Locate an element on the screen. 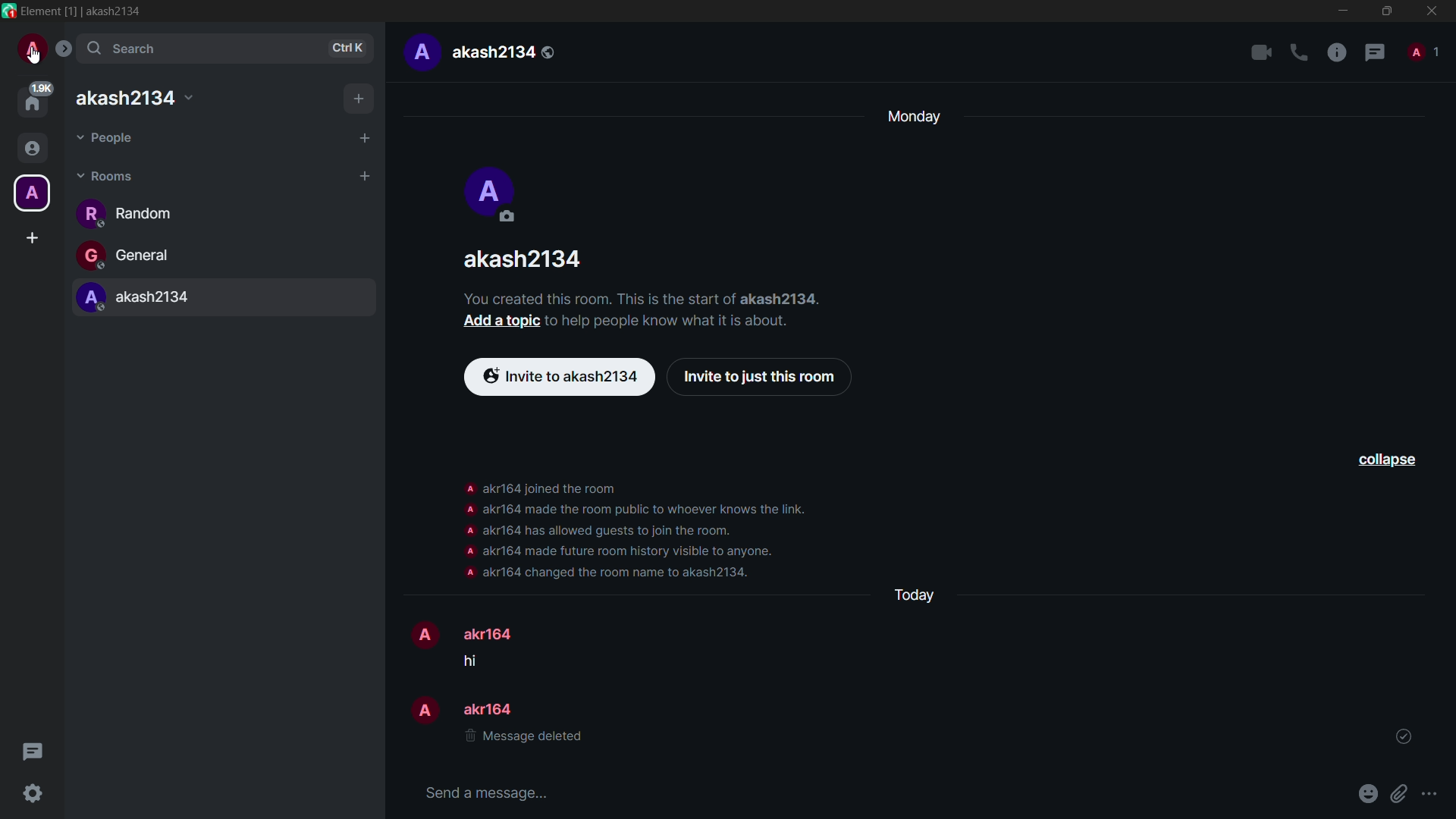  akr164 is located at coordinates (493, 633).